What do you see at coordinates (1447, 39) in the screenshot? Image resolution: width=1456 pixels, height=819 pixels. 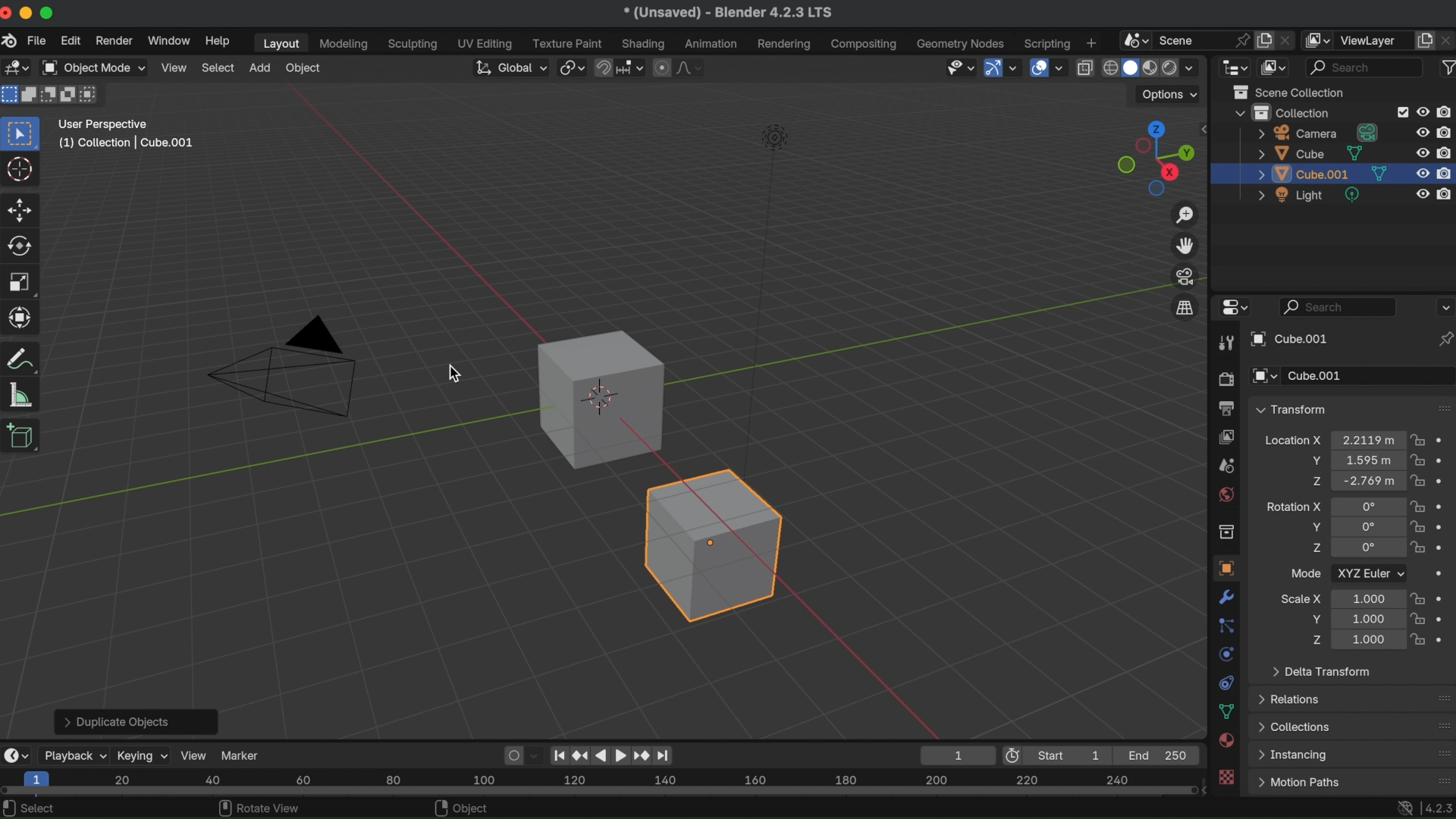 I see `remove view layer` at bounding box center [1447, 39].